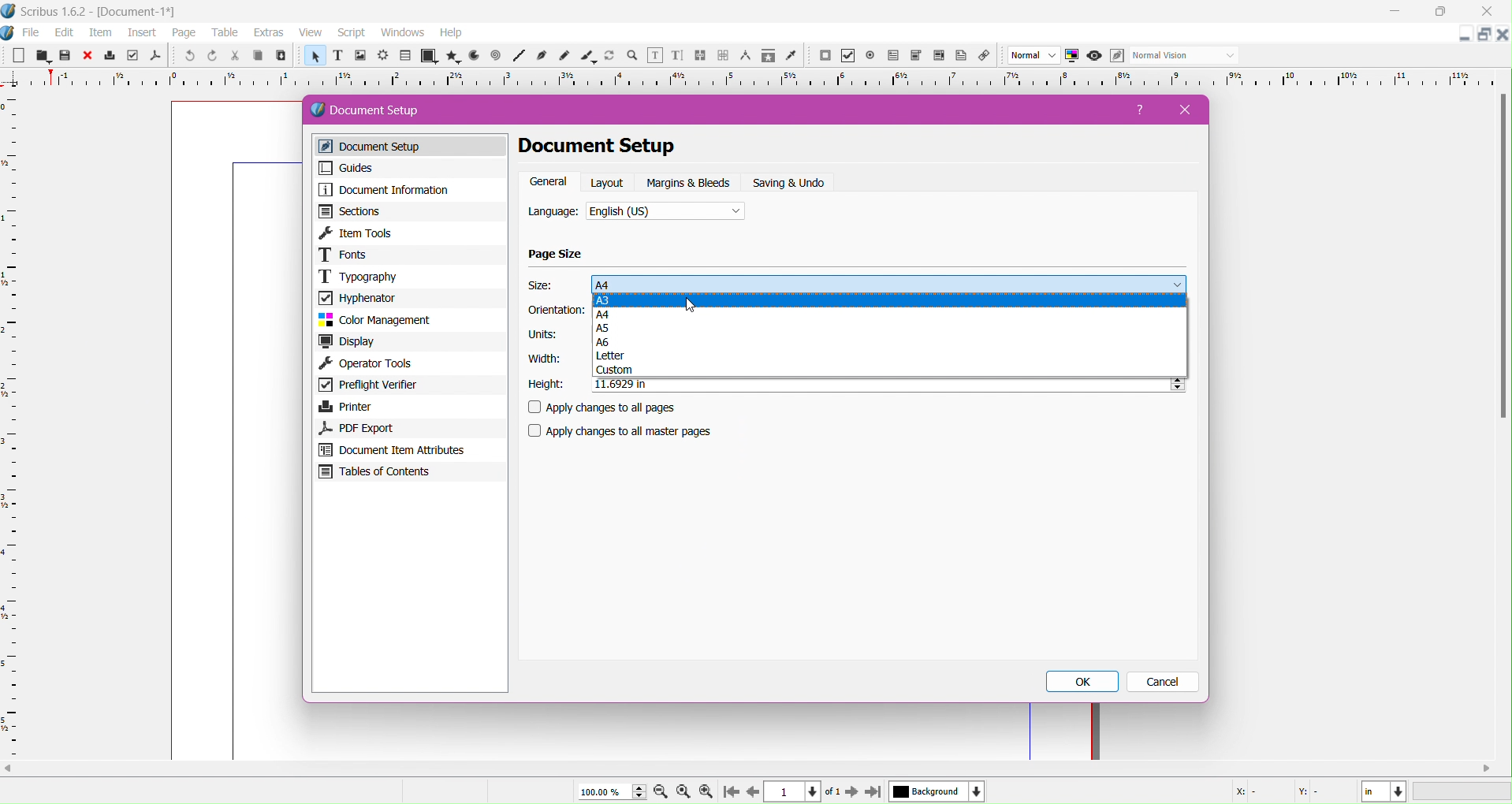 The image size is (1512, 804). Describe the element at coordinates (964, 56) in the screenshot. I see `text annotations` at that location.